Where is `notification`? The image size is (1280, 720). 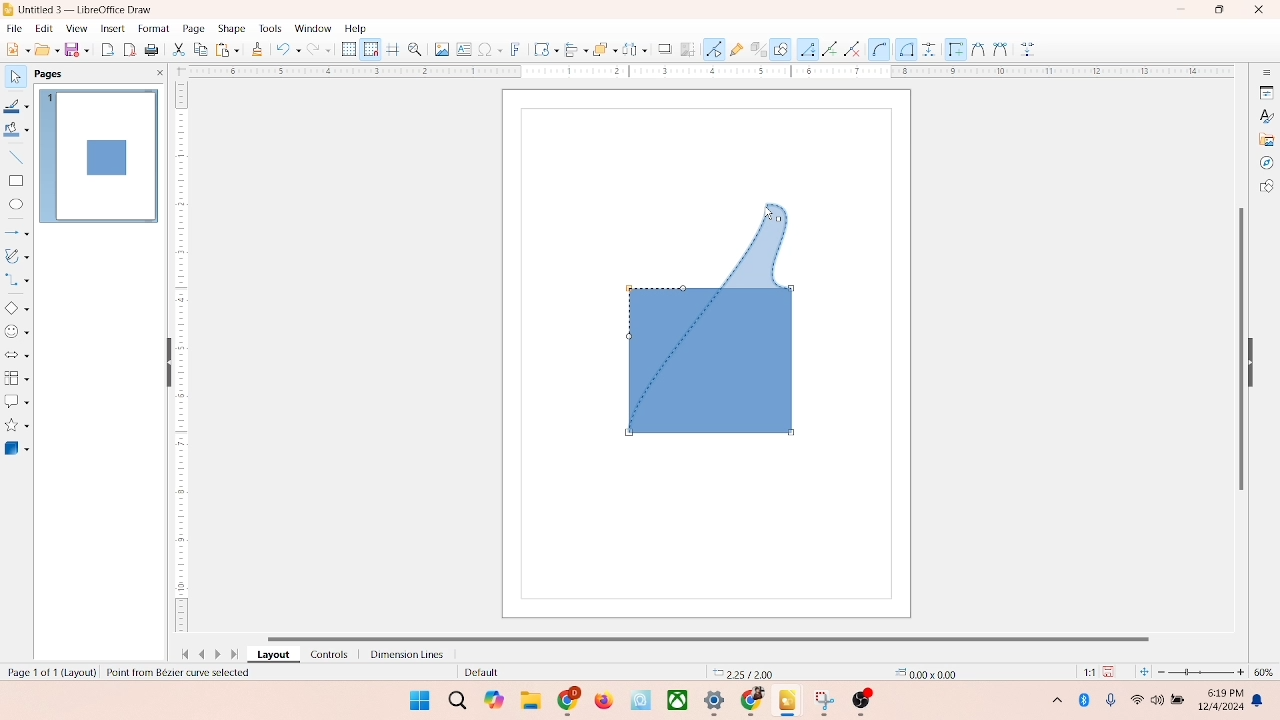
notification is located at coordinates (1261, 701).